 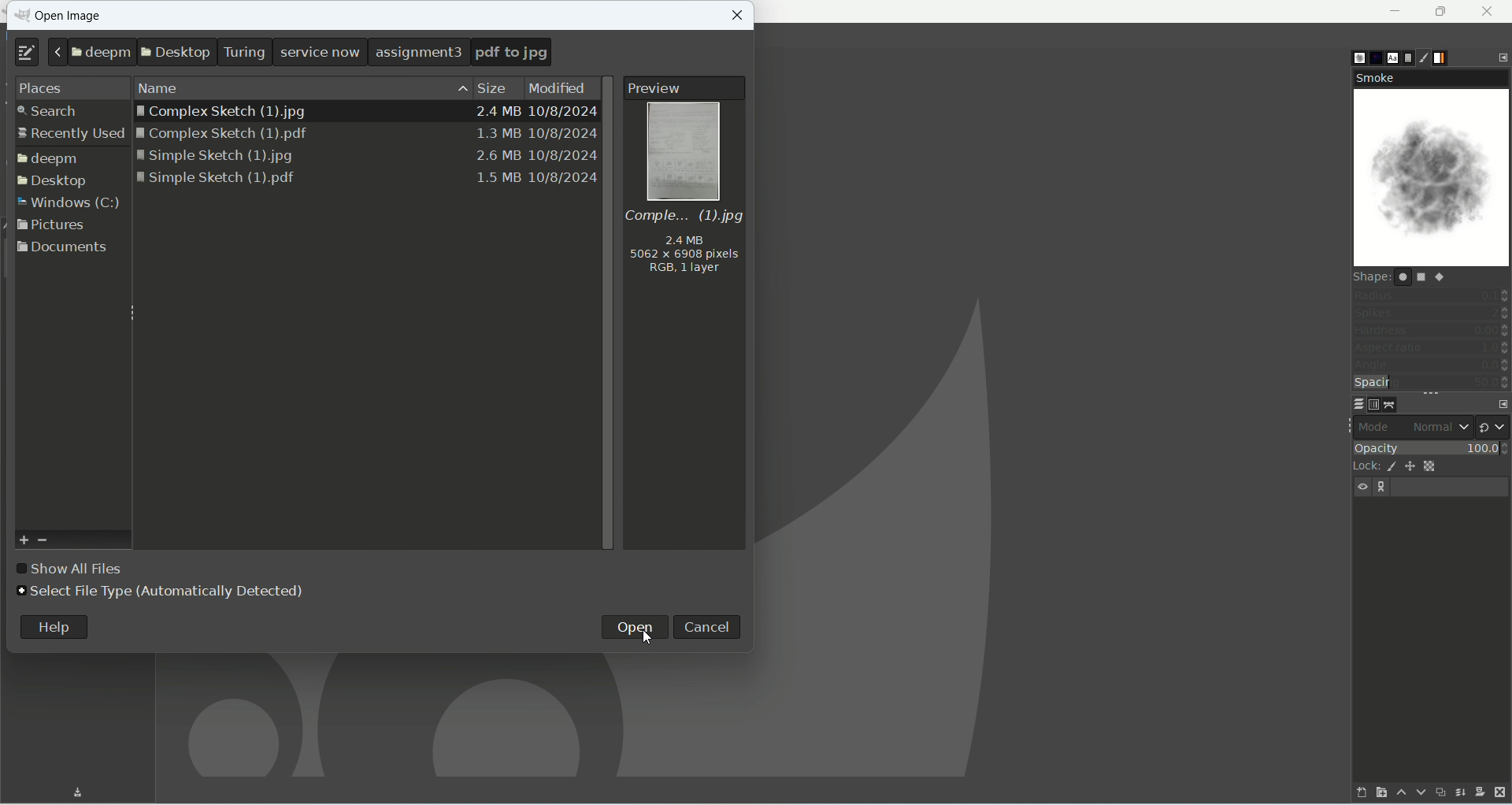 What do you see at coordinates (1393, 405) in the screenshot?
I see `paths` at bounding box center [1393, 405].